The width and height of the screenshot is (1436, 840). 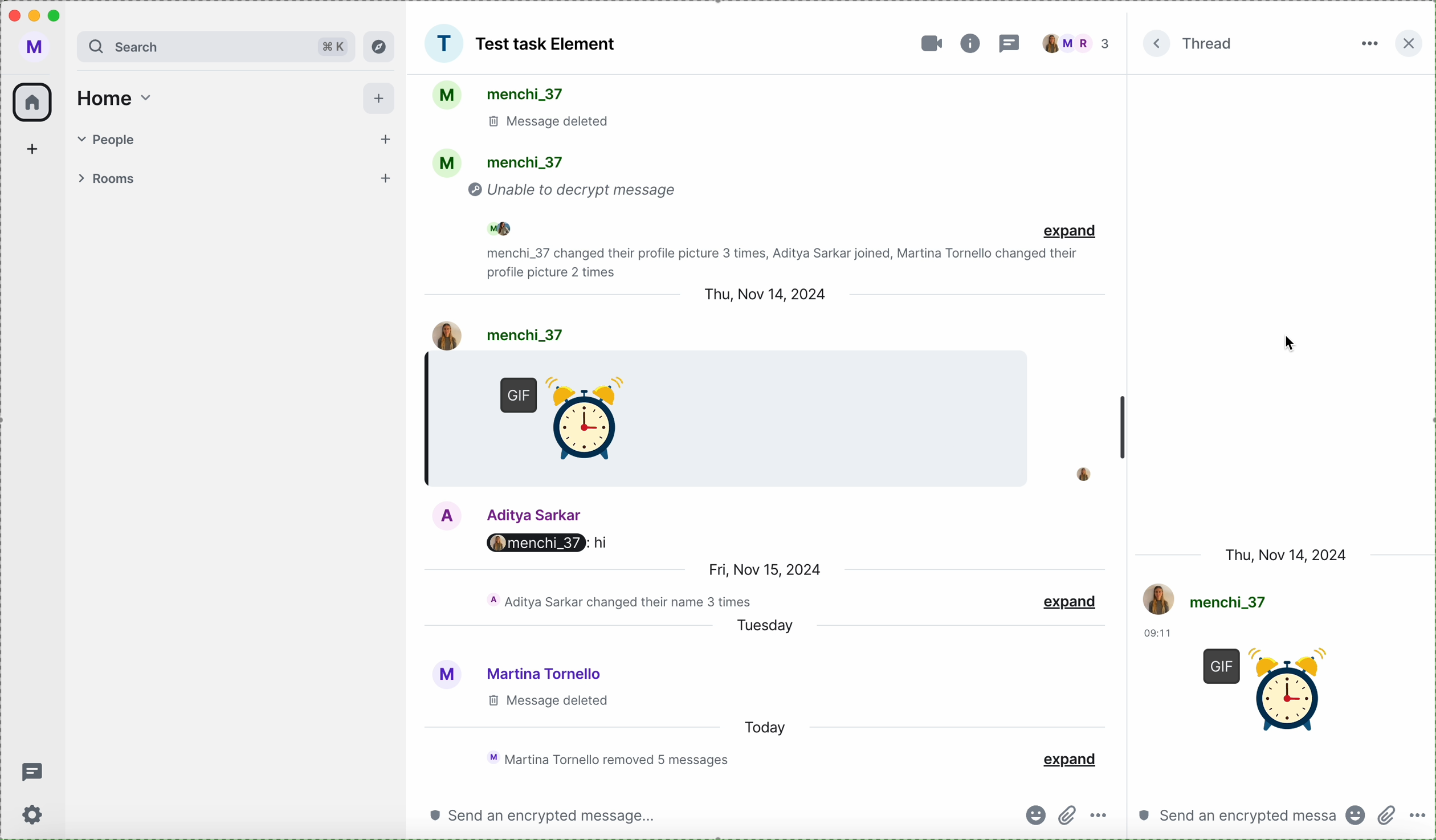 I want to click on minimize program, so click(x=36, y=18).